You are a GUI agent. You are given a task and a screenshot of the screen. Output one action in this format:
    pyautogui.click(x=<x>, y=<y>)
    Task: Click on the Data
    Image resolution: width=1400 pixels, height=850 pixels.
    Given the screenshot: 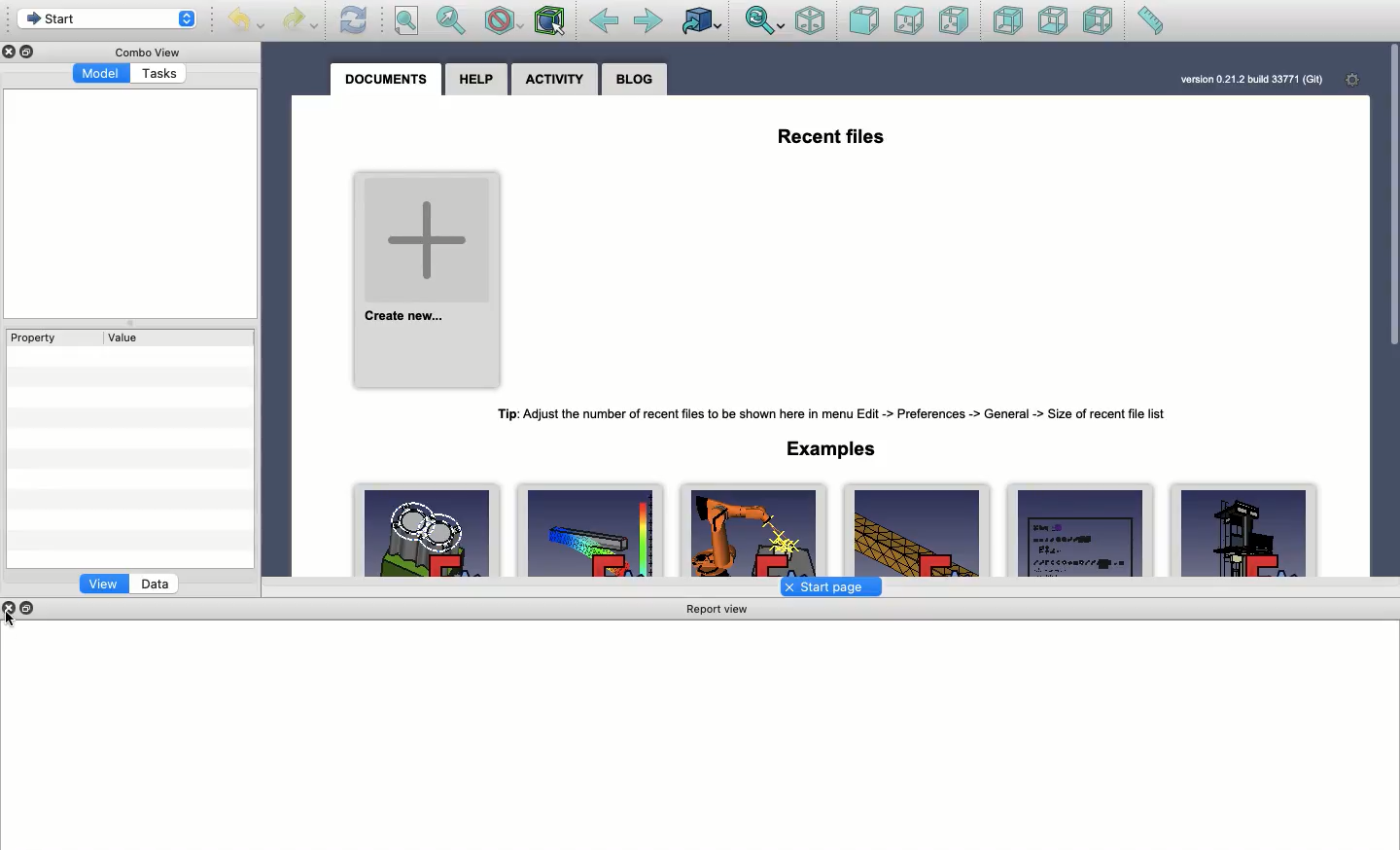 What is the action you would take?
    pyautogui.click(x=158, y=584)
    